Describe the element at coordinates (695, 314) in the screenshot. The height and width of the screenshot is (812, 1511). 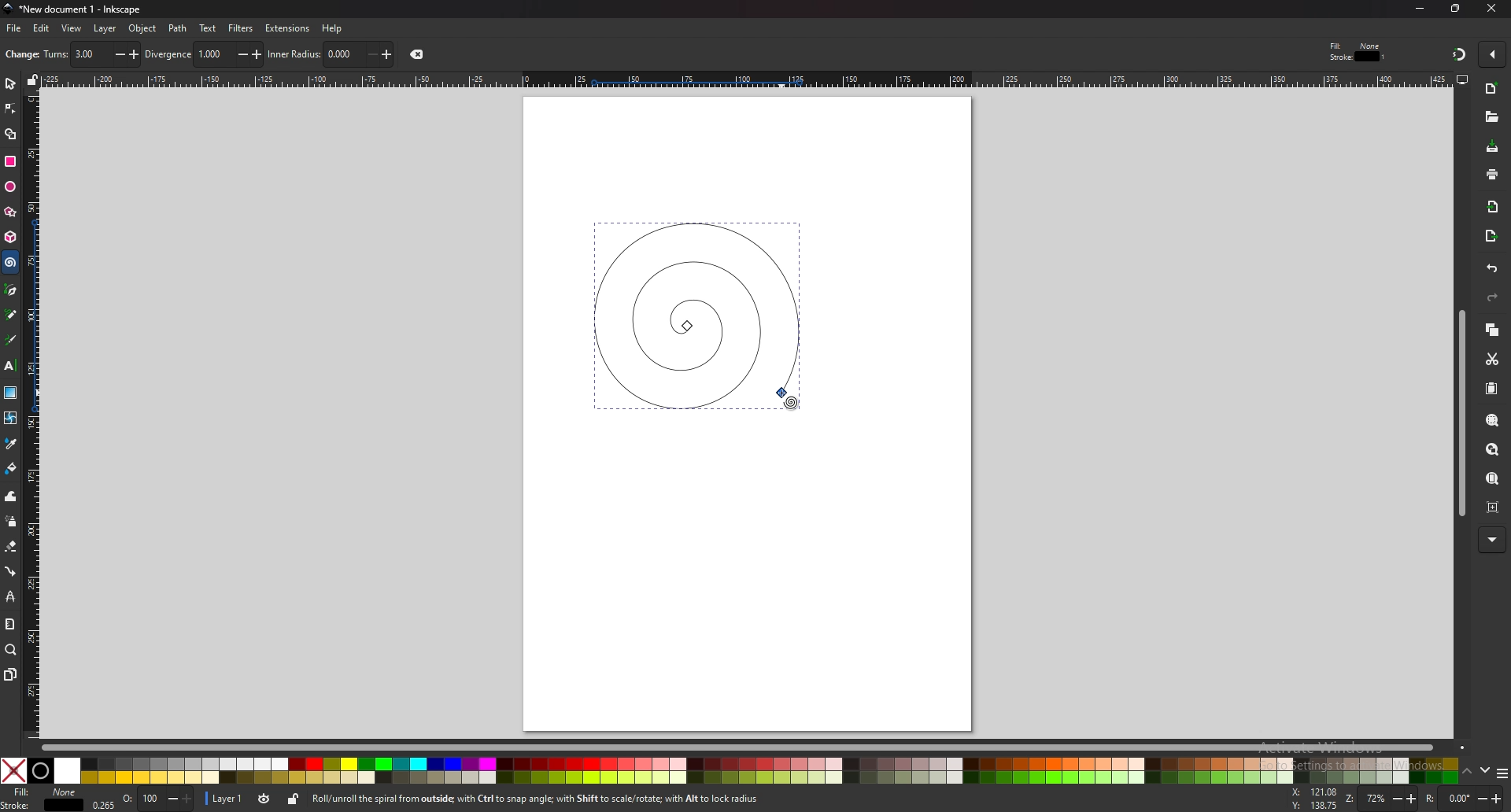
I see `spiral` at that location.